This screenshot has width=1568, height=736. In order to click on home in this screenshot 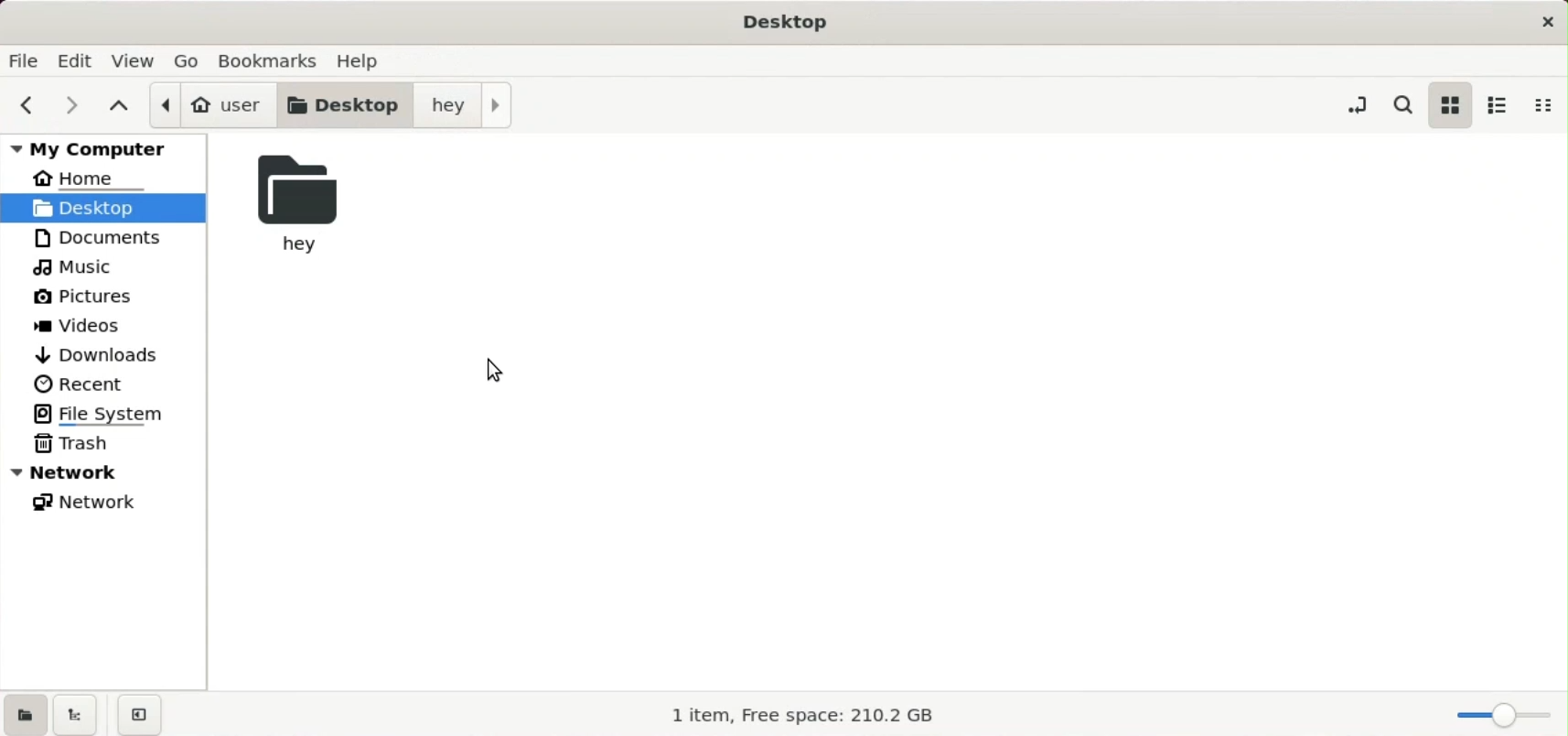, I will do `click(92, 176)`.